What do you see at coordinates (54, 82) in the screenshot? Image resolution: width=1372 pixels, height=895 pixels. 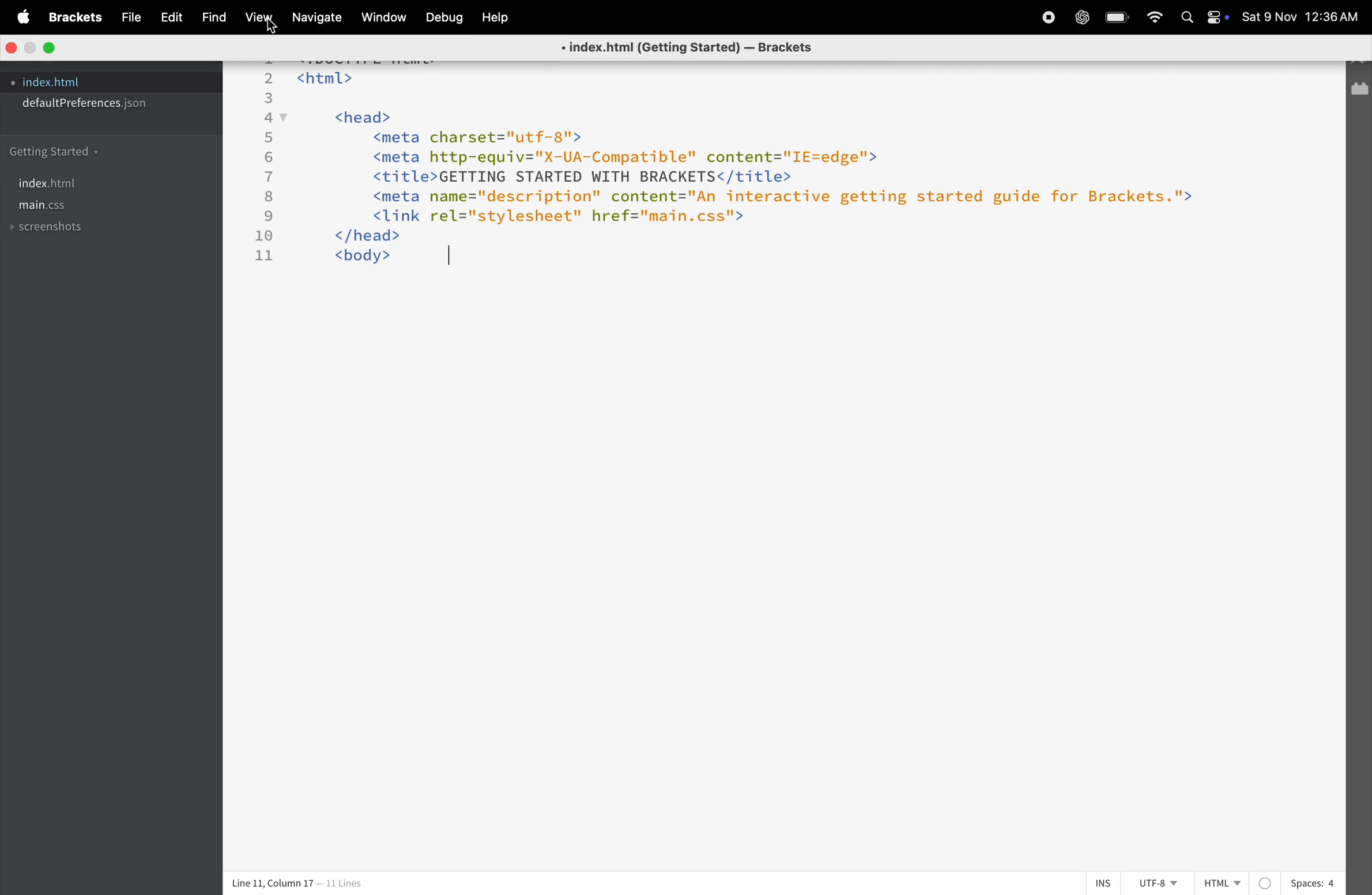 I see `index.html` at bounding box center [54, 82].